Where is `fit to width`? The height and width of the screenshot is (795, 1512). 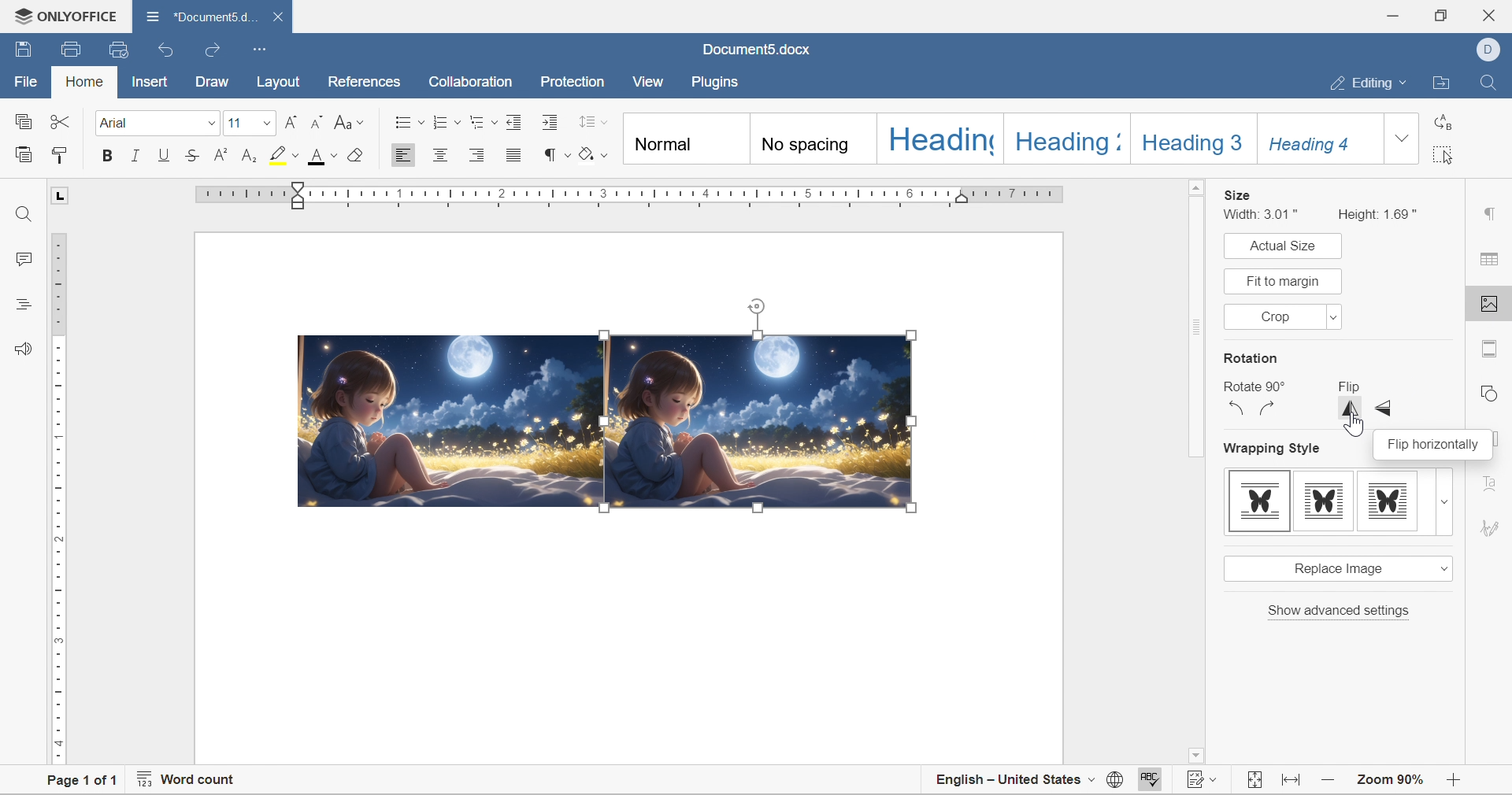
fit to width is located at coordinates (1293, 780).